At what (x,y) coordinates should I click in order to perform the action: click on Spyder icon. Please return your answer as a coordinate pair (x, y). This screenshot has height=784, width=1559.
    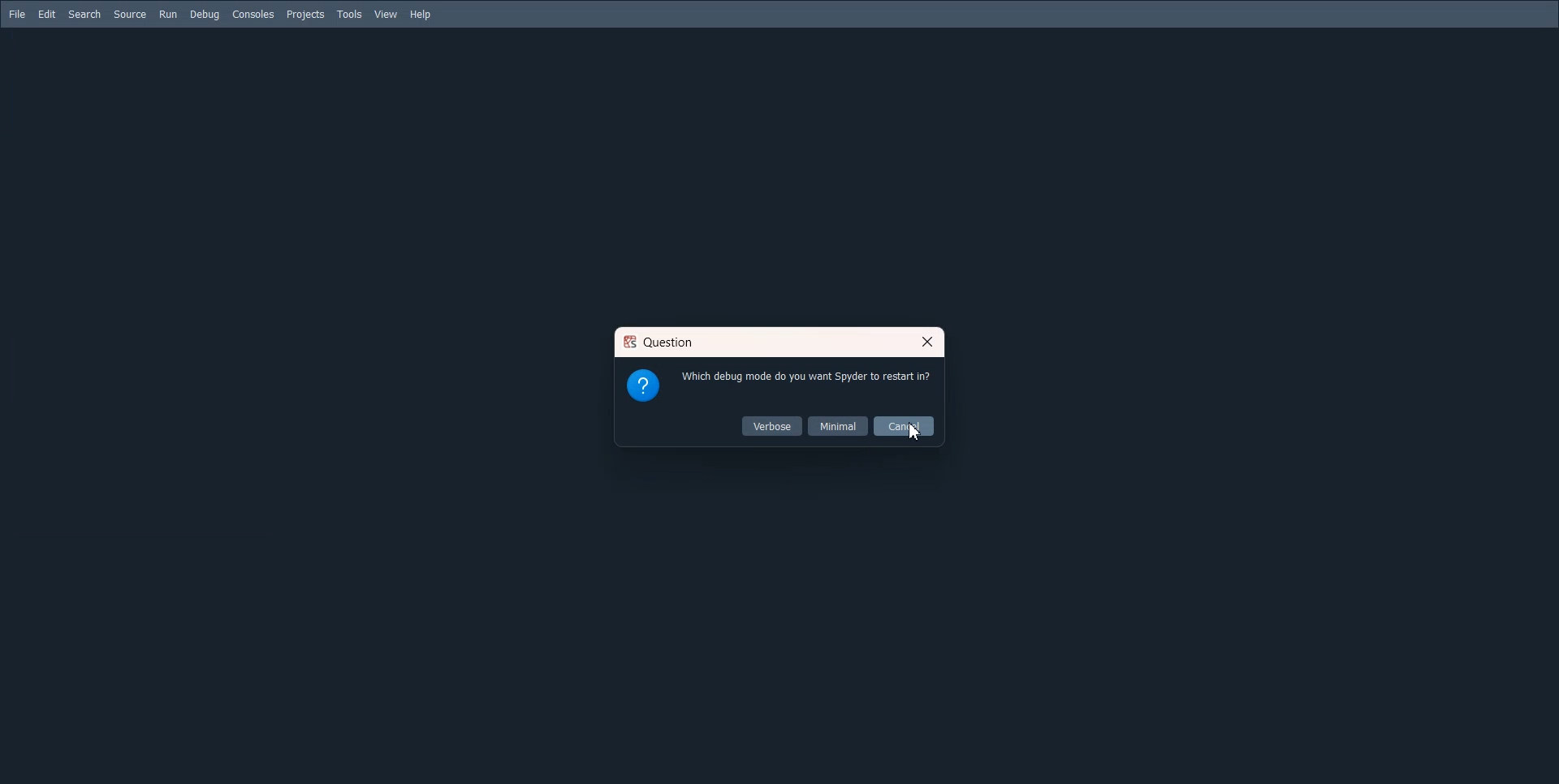
    Looking at the image, I should click on (629, 343).